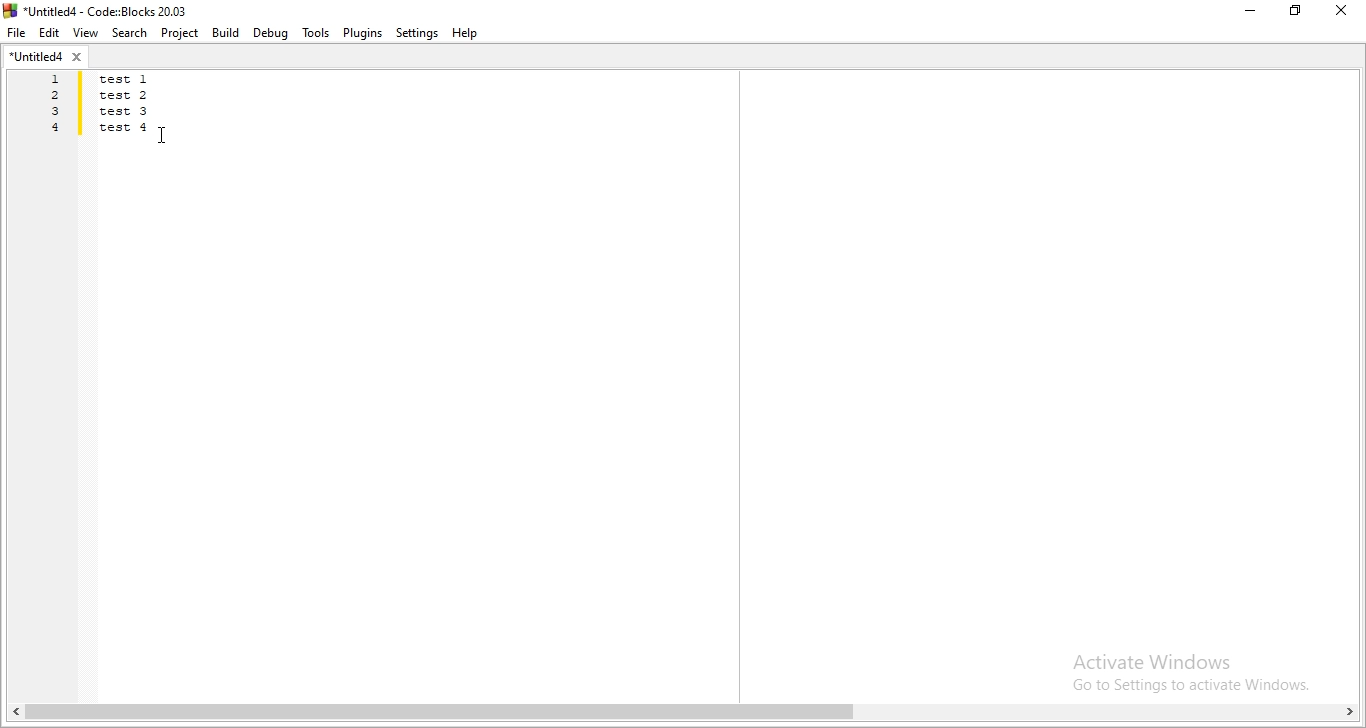 This screenshot has width=1366, height=728. What do you see at coordinates (17, 34) in the screenshot?
I see `File` at bounding box center [17, 34].